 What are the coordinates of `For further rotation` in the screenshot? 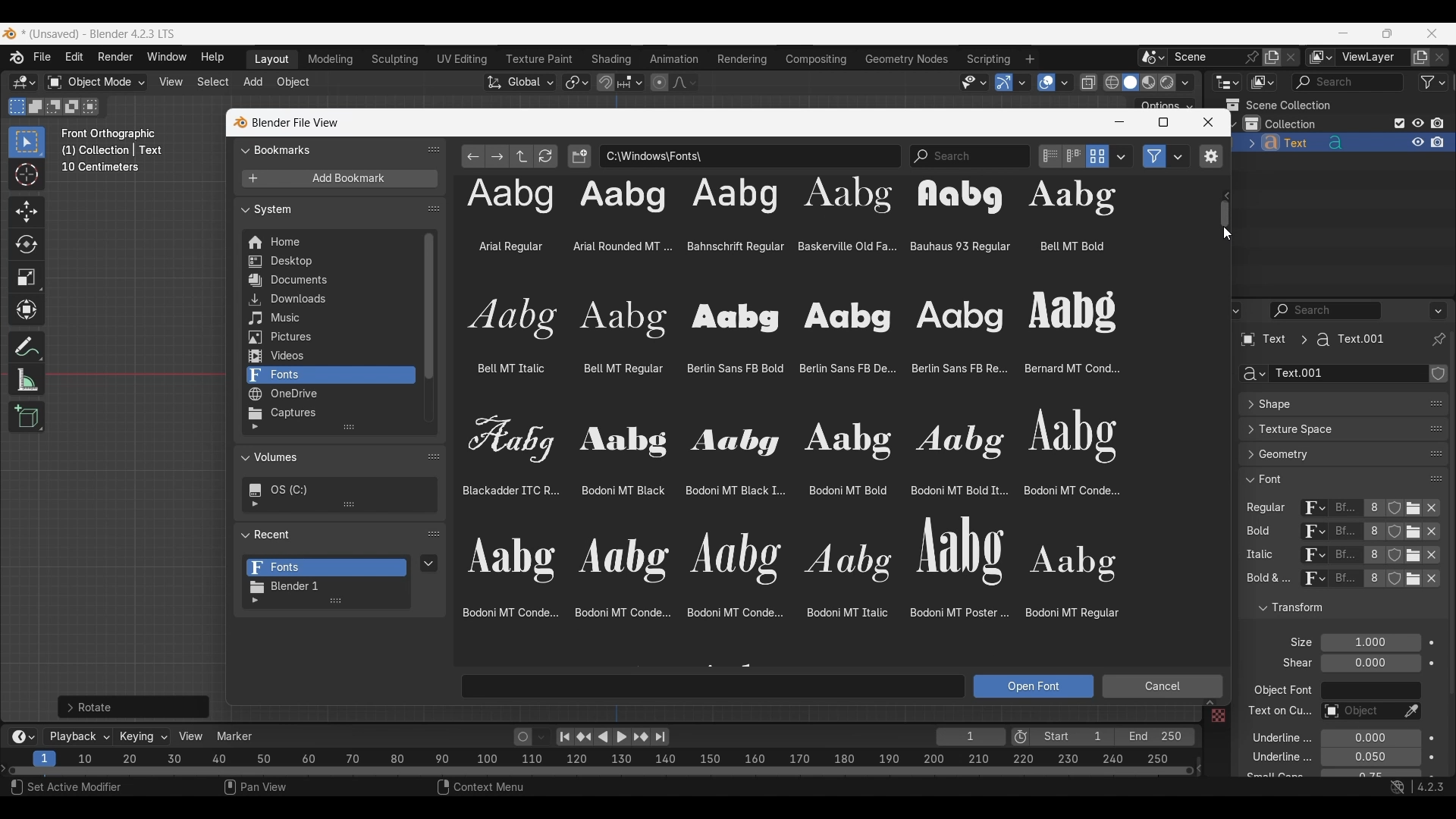 It's located at (133, 707).